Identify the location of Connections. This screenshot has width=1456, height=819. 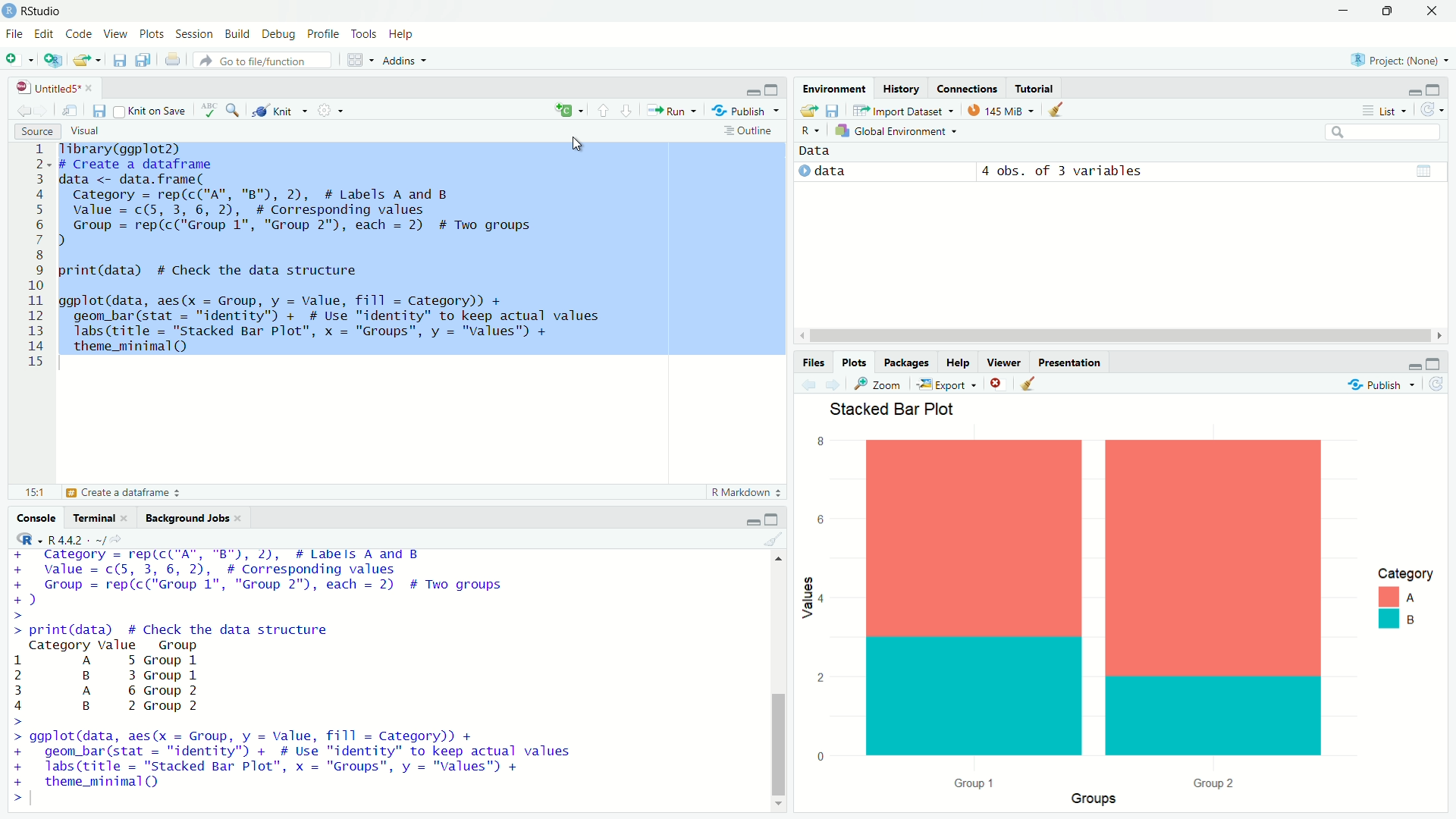
(971, 87).